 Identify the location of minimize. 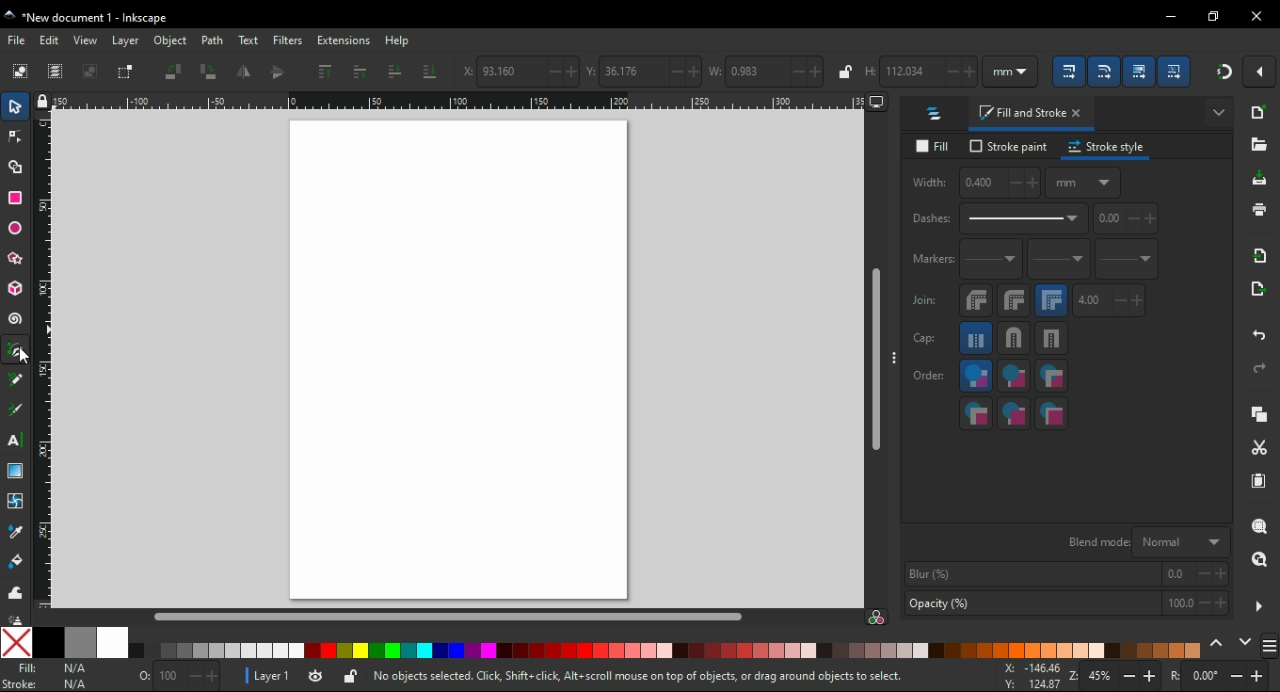
(1172, 17).